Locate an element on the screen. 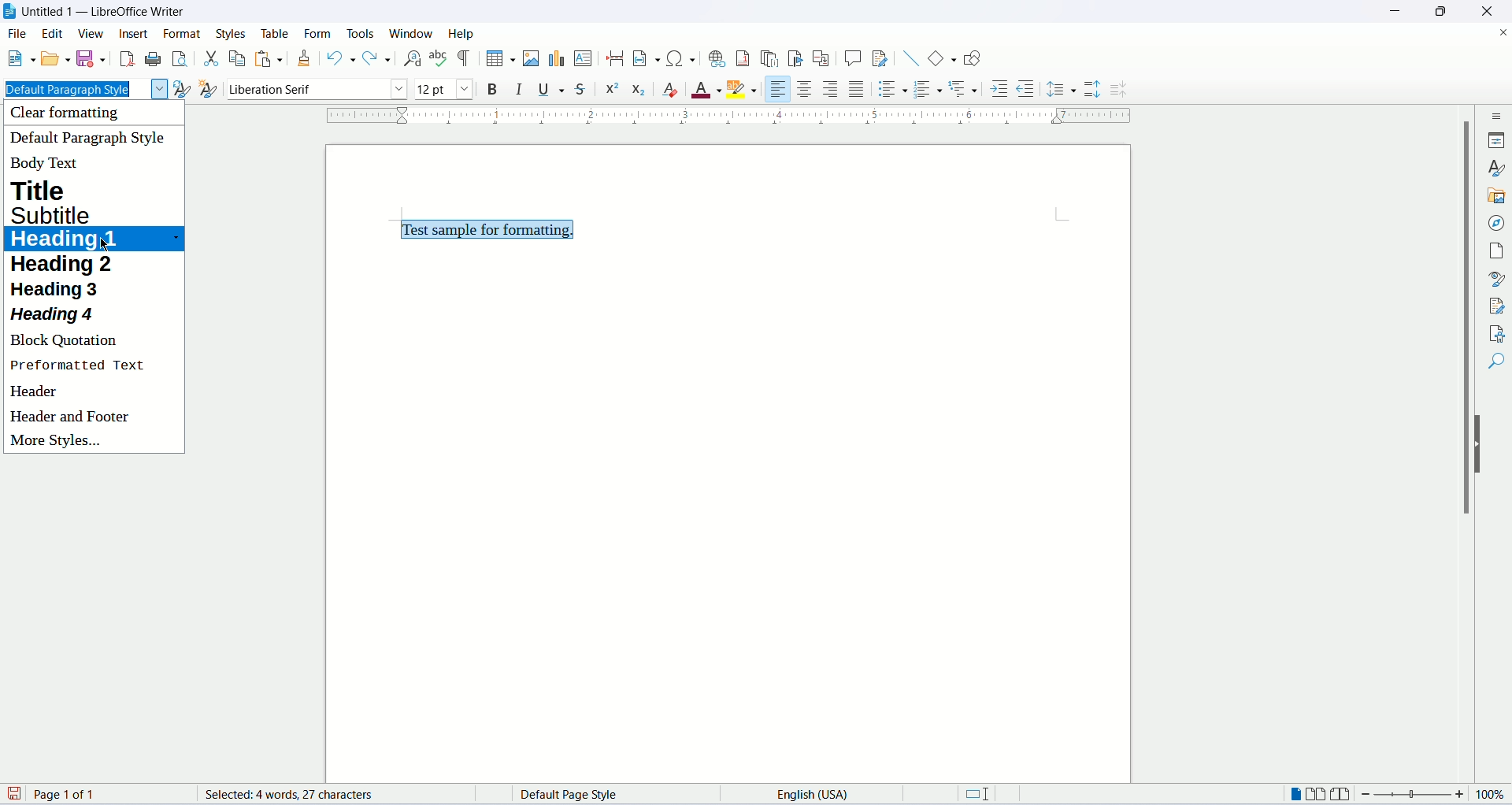 The height and width of the screenshot is (805, 1512). update selected style is located at coordinates (181, 88).